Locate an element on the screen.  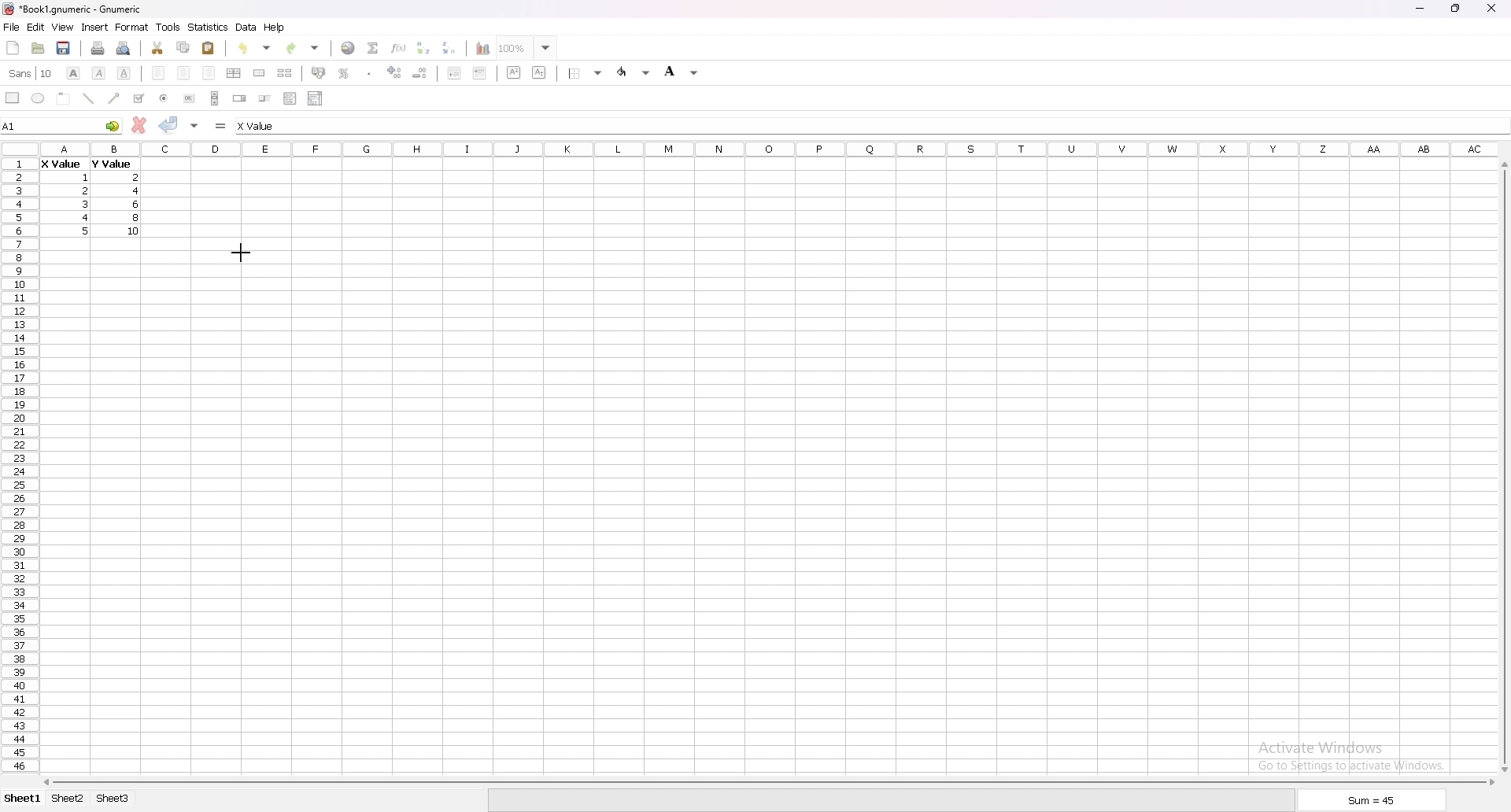
centre horizontally is located at coordinates (235, 72).